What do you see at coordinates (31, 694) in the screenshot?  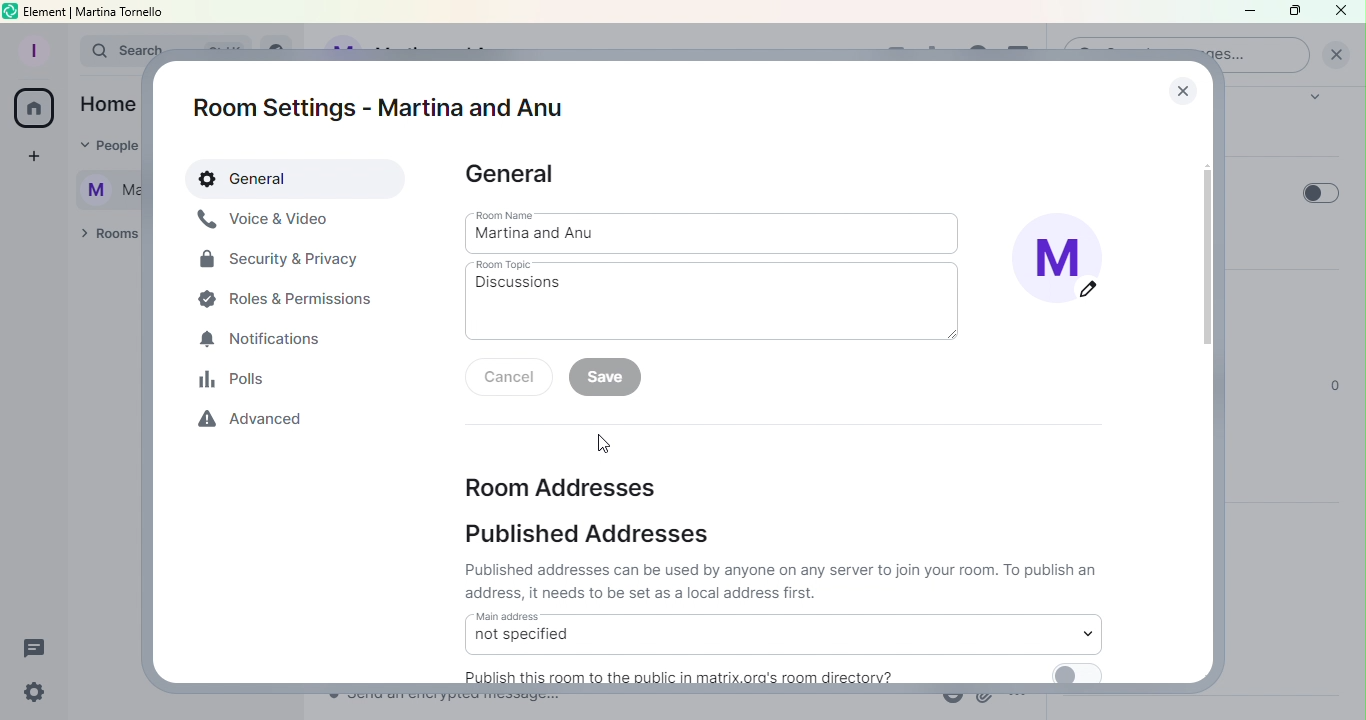 I see `Quick settings` at bounding box center [31, 694].